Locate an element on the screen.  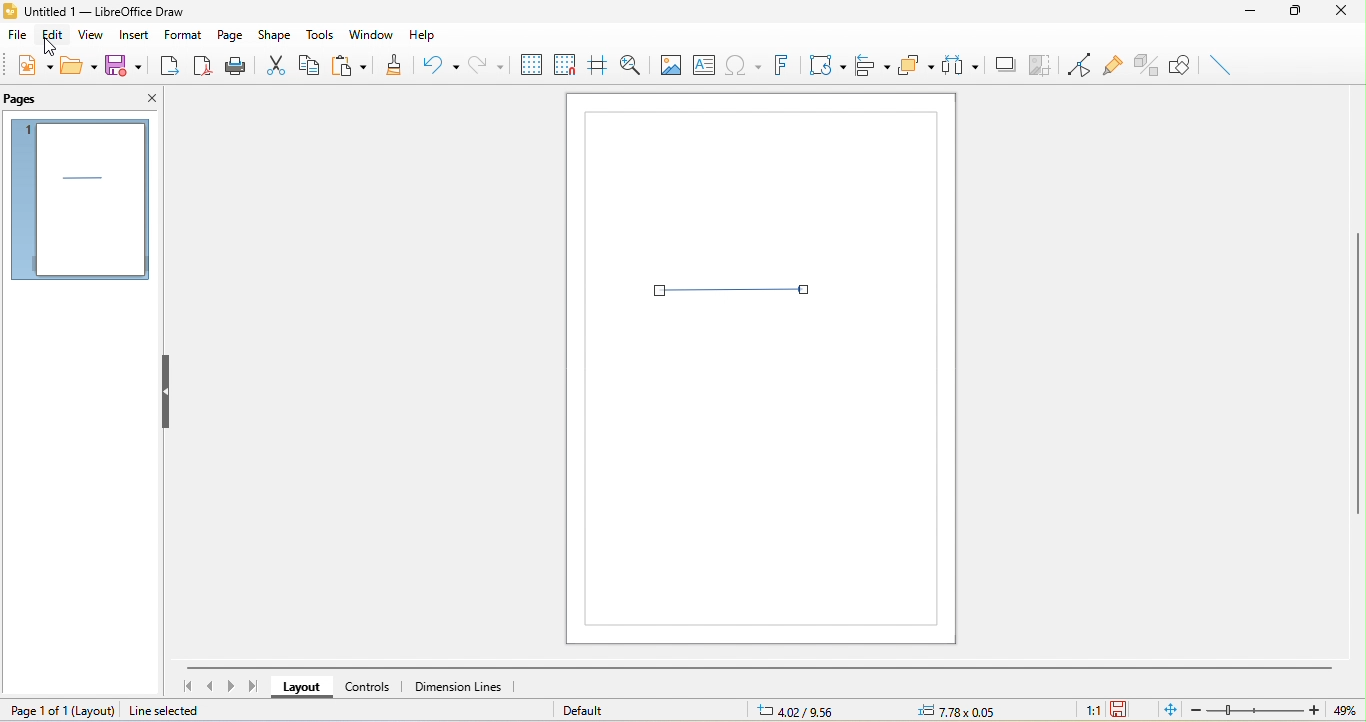
font work text is located at coordinates (780, 65).